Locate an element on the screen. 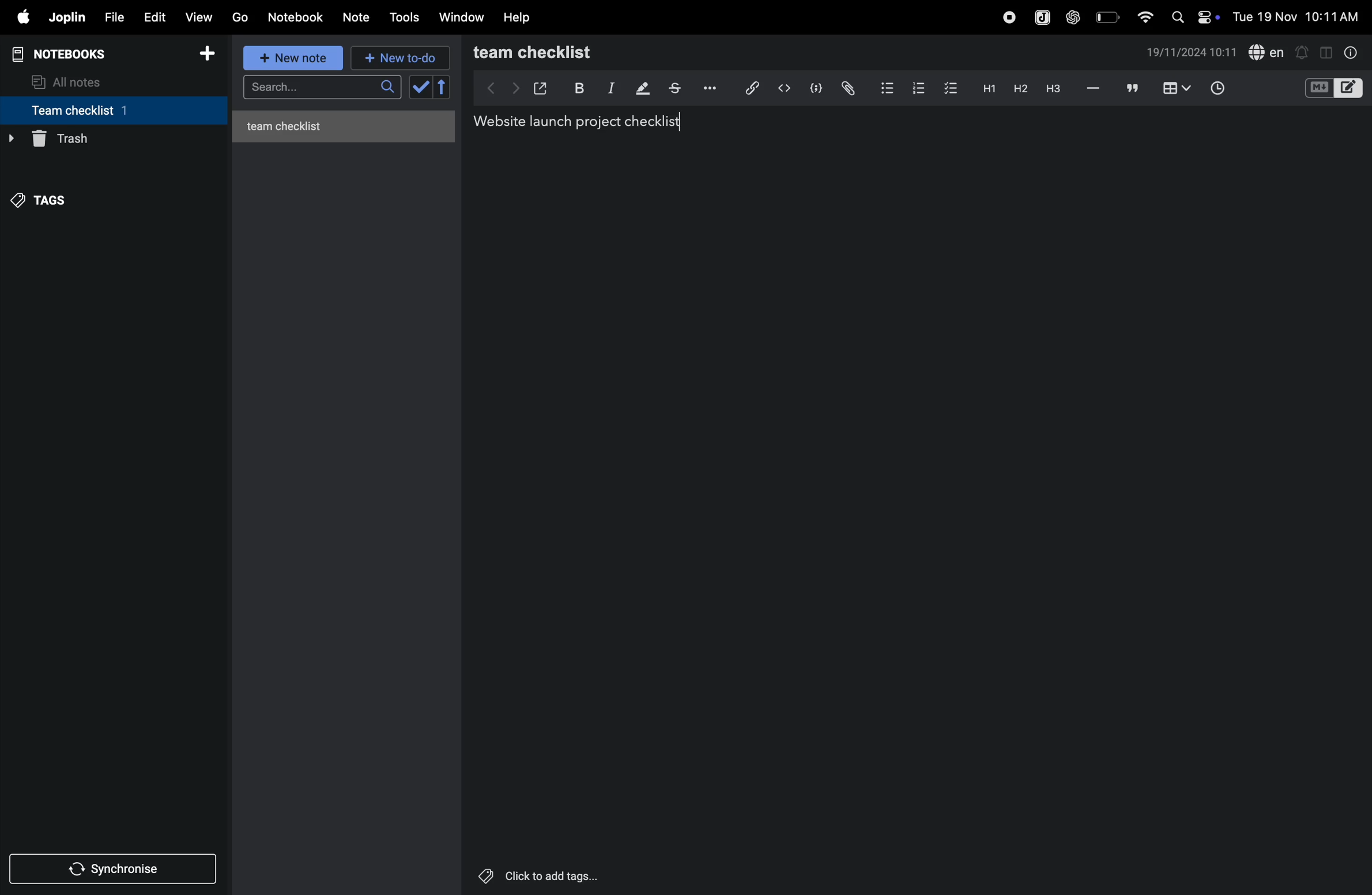 The height and width of the screenshot is (895, 1372). chat gpt is located at coordinates (1071, 17).